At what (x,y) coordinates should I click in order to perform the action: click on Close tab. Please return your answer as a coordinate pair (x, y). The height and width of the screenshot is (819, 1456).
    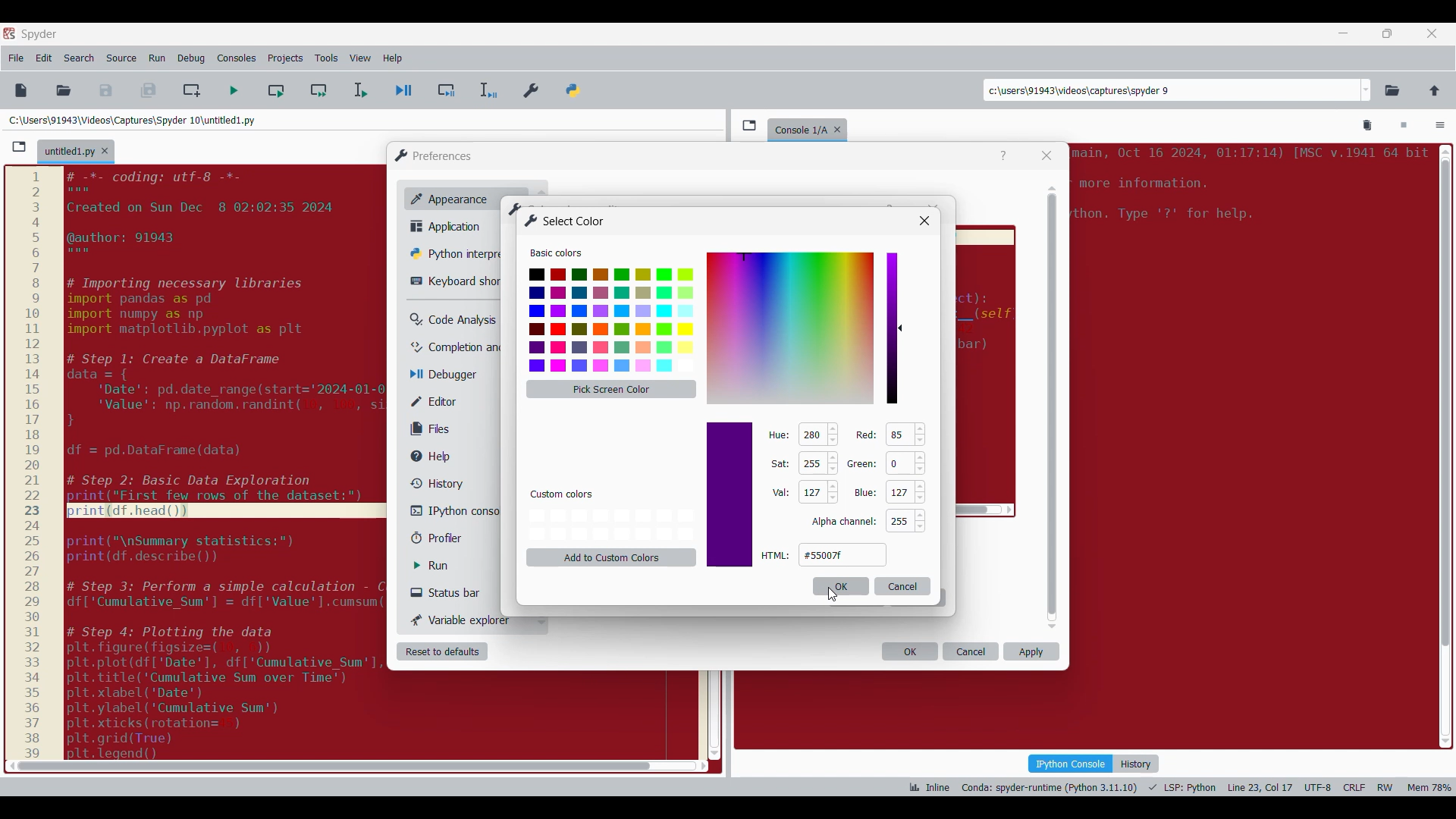
    Looking at the image, I should click on (841, 127).